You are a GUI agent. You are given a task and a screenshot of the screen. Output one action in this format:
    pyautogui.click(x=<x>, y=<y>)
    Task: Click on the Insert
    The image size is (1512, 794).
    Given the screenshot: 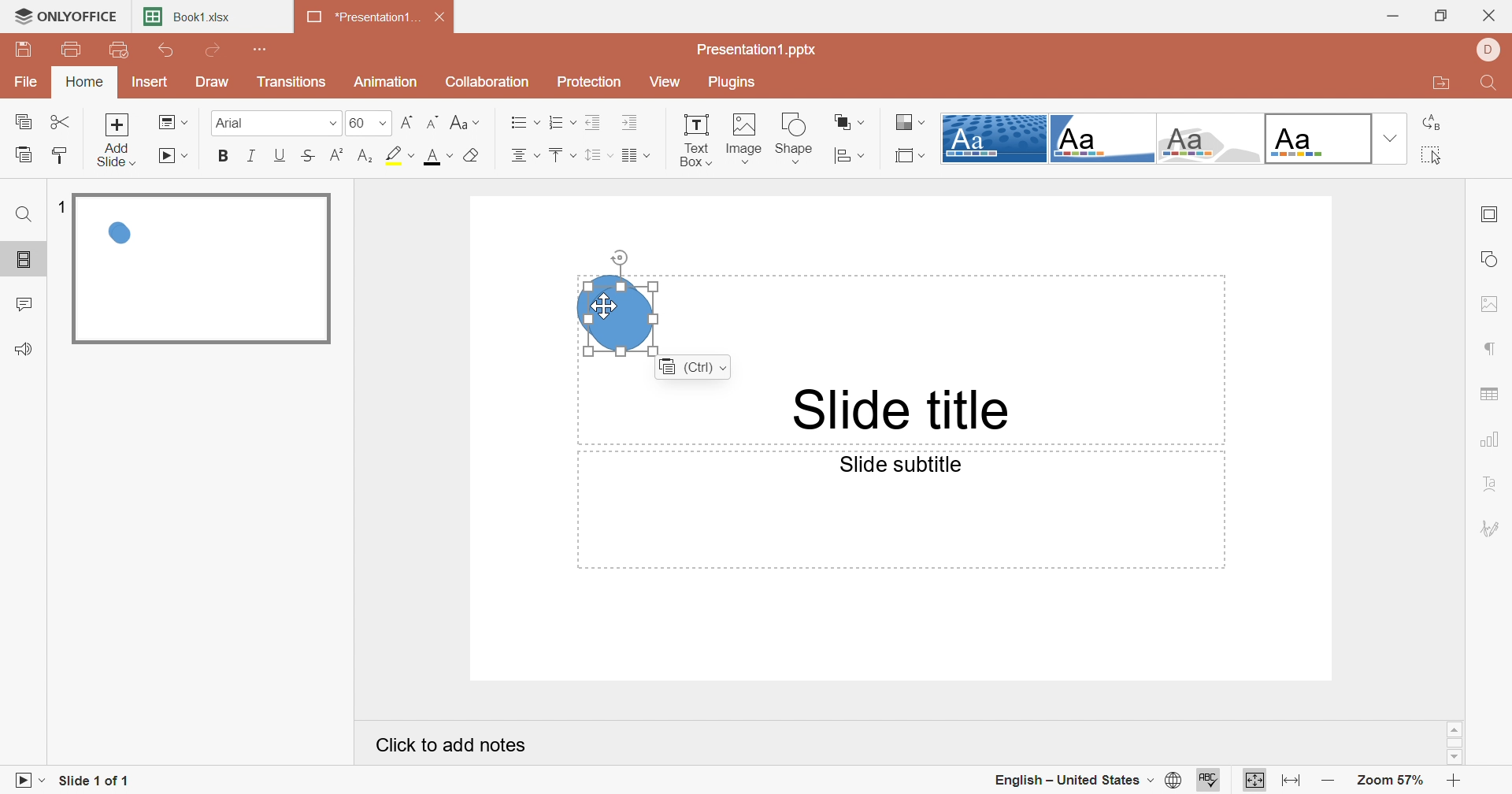 What is the action you would take?
    pyautogui.click(x=149, y=80)
    